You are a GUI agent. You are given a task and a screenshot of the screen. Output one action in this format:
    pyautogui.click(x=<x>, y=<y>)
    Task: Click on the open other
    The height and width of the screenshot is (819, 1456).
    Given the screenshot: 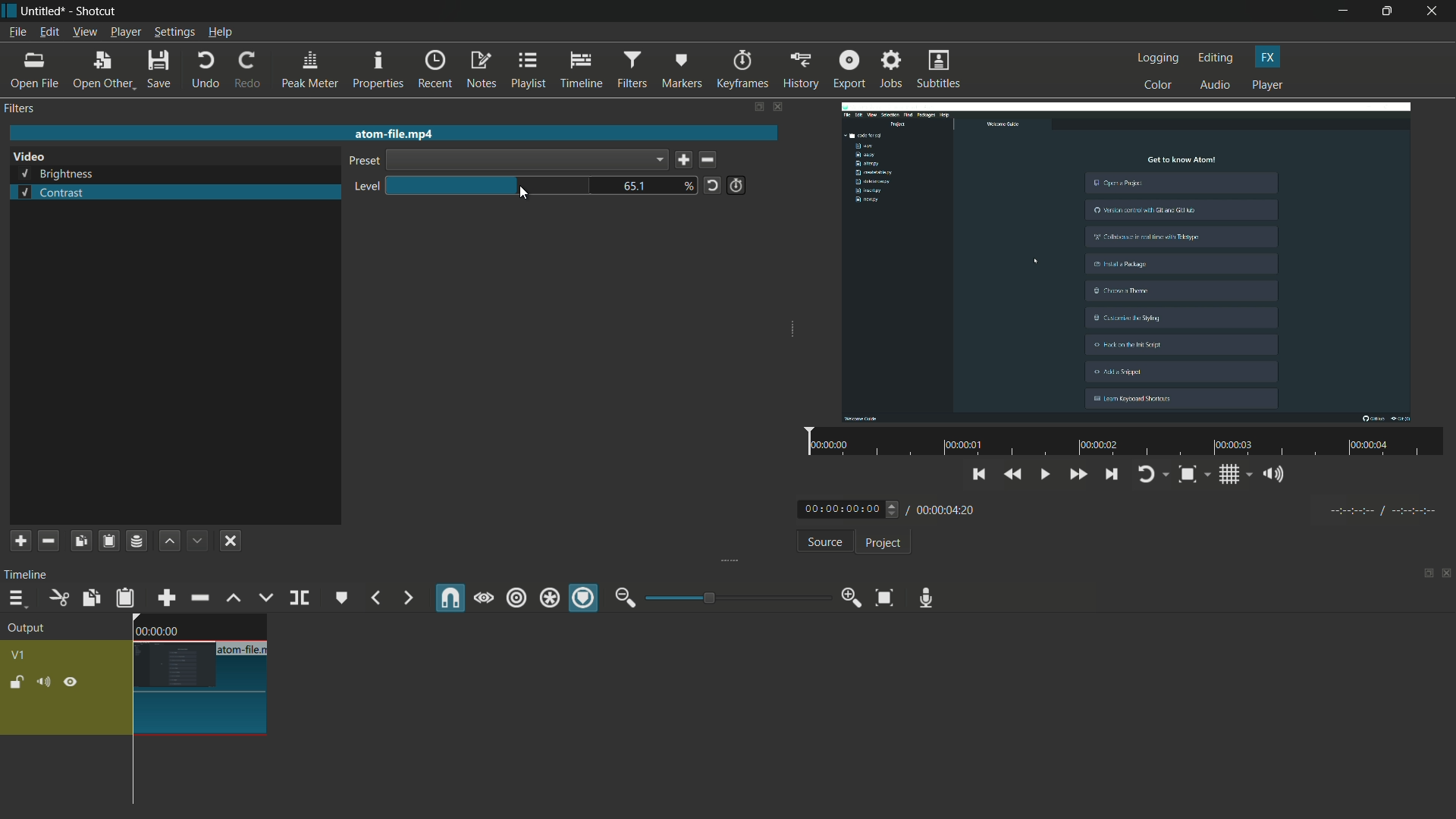 What is the action you would take?
    pyautogui.click(x=103, y=71)
    